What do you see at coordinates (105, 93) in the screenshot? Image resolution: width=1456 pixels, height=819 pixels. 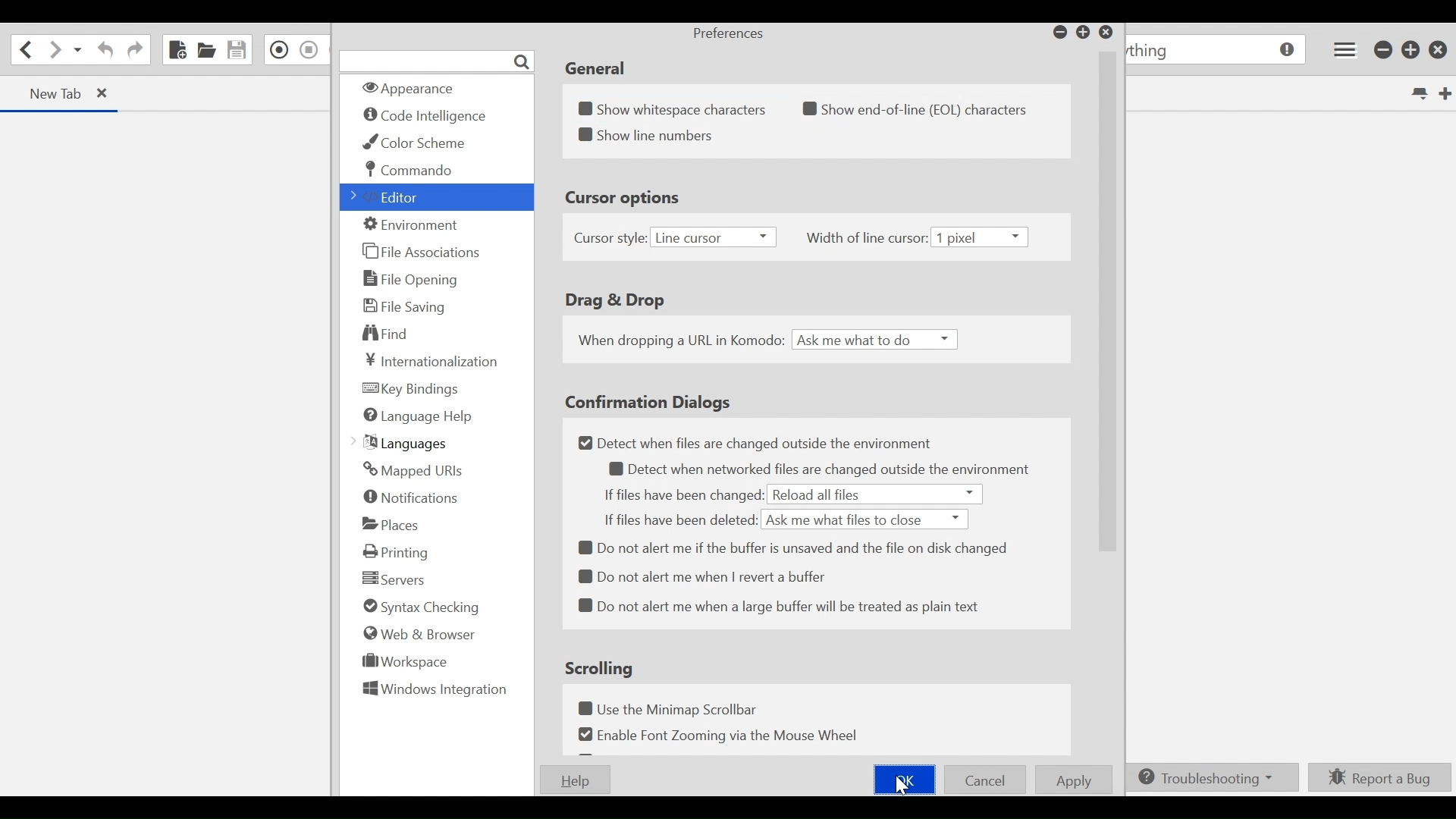 I see `close` at bounding box center [105, 93].